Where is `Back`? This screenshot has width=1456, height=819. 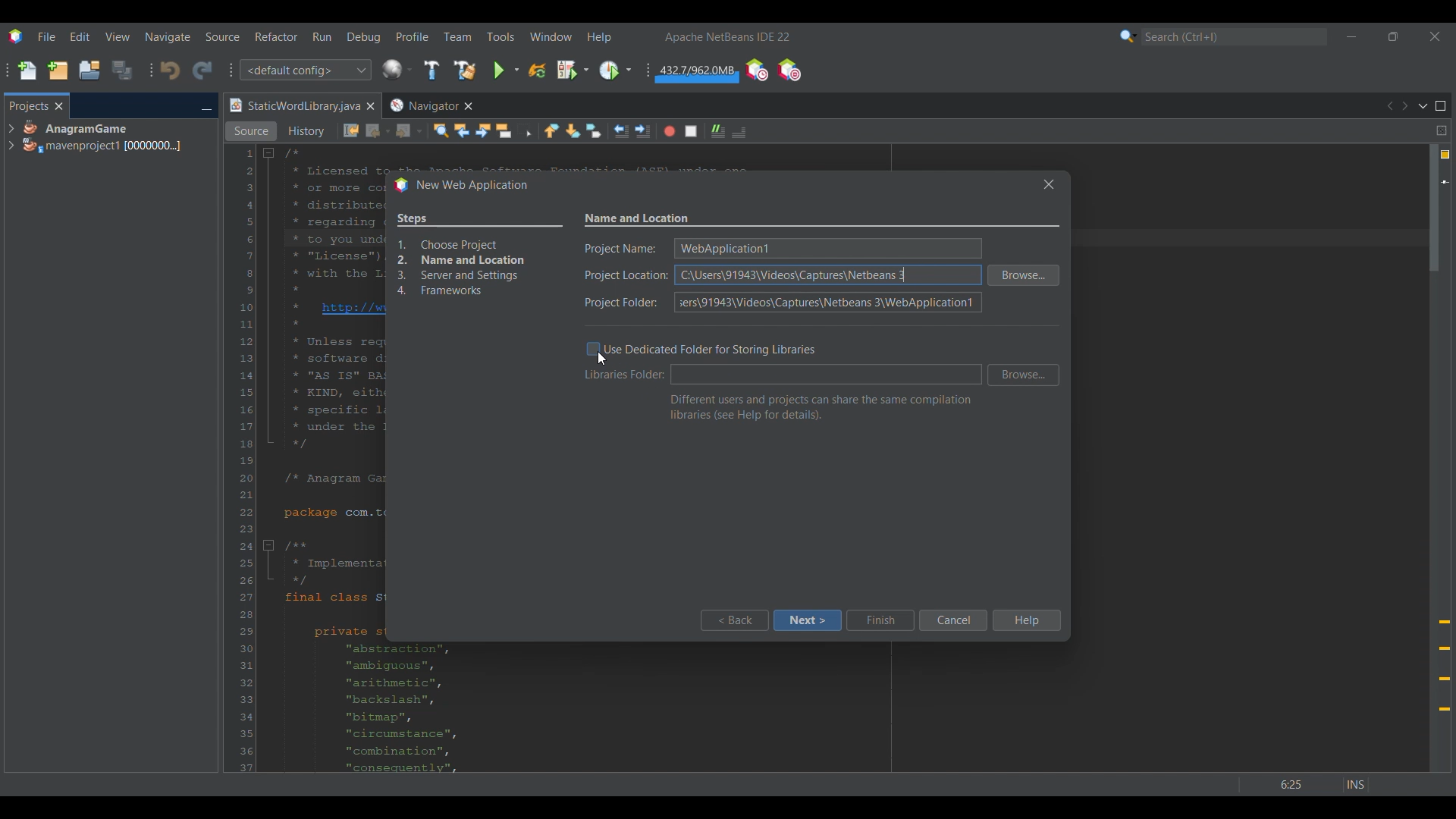
Back is located at coordinates (733, 620).